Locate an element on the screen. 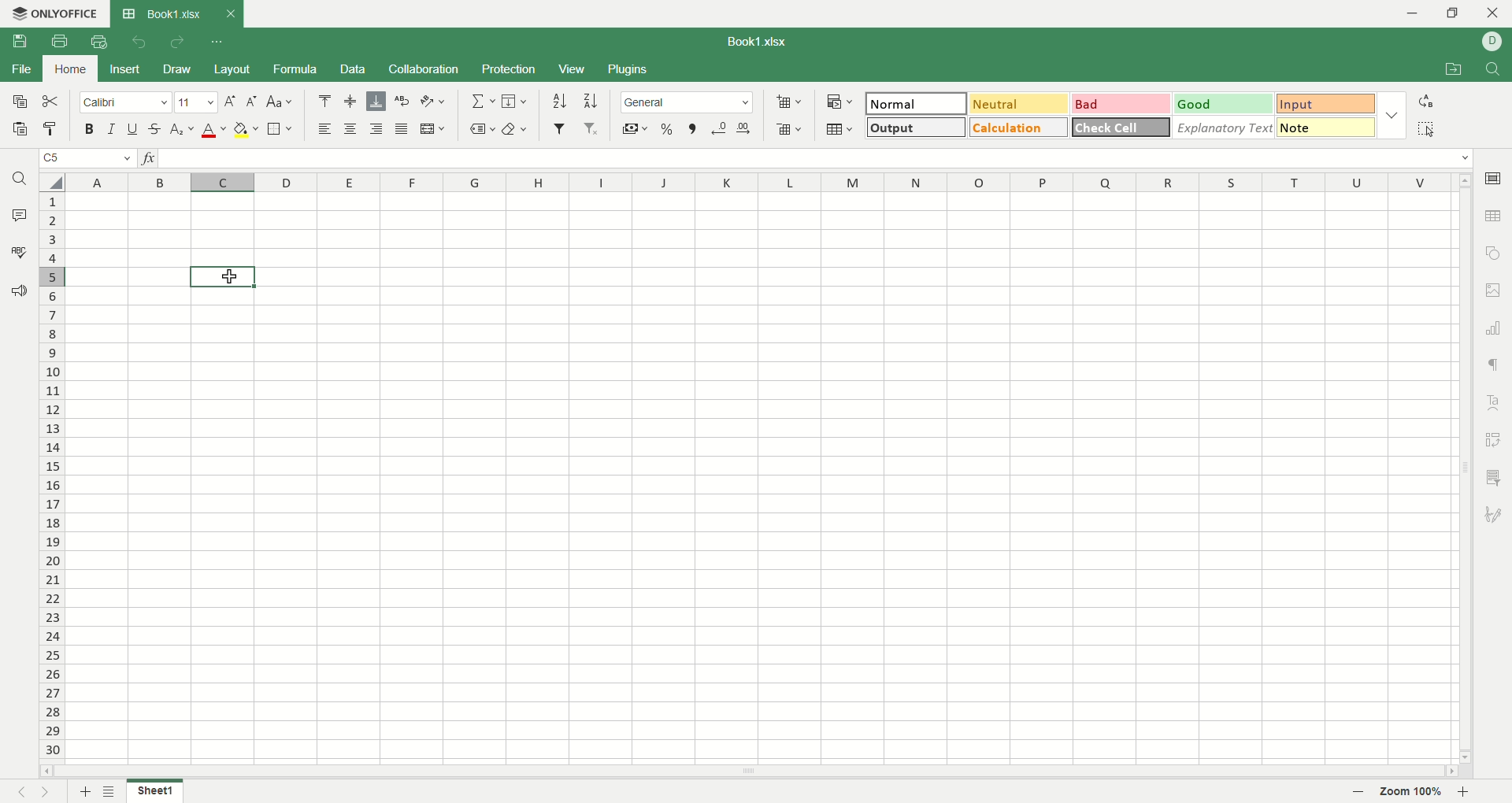 Image resolution: width=1512 pixels, height=803 pixels. font size is located at coordinates (195, 103).